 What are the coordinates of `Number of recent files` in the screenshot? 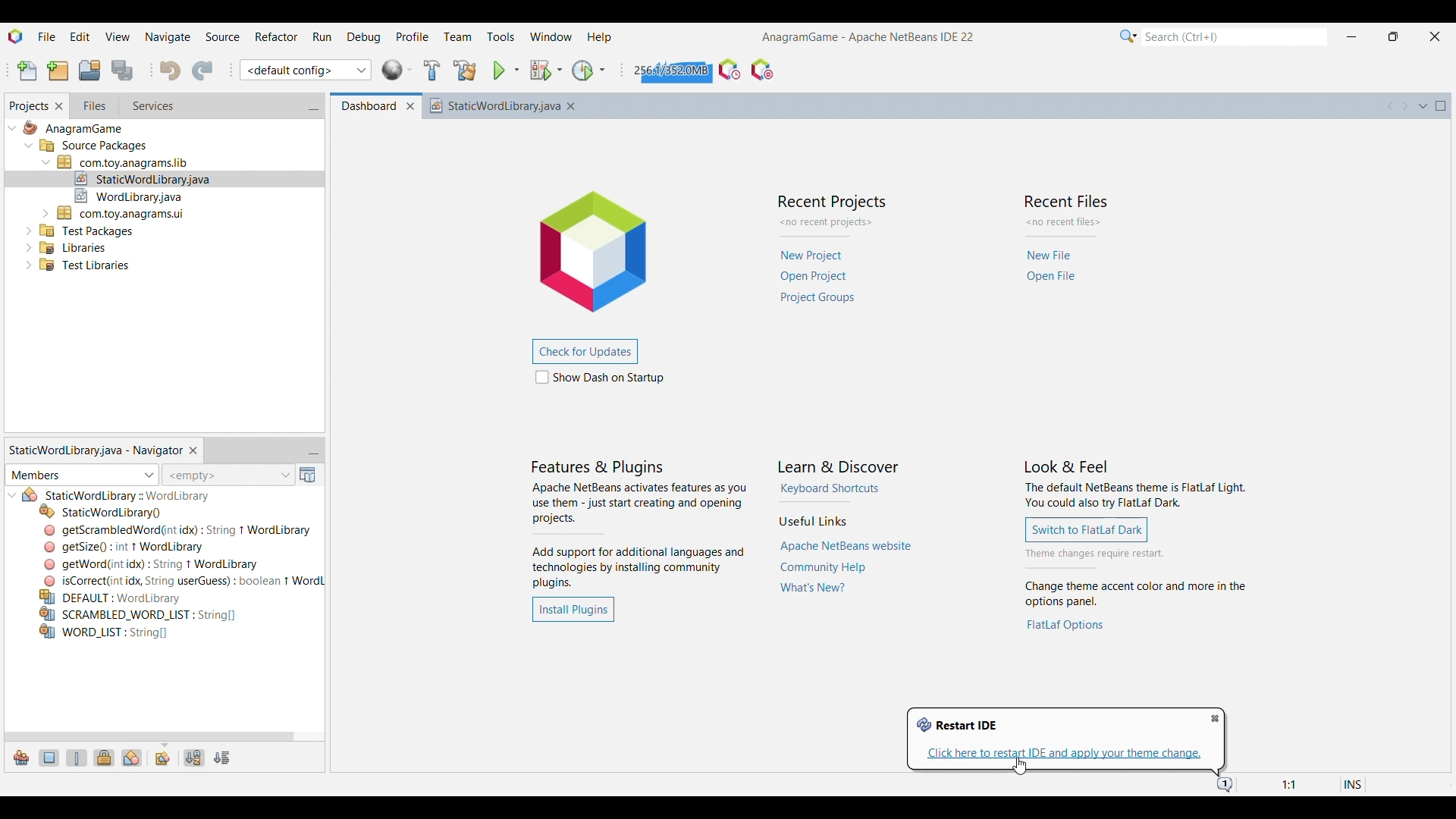 It's located at (1065, 222).